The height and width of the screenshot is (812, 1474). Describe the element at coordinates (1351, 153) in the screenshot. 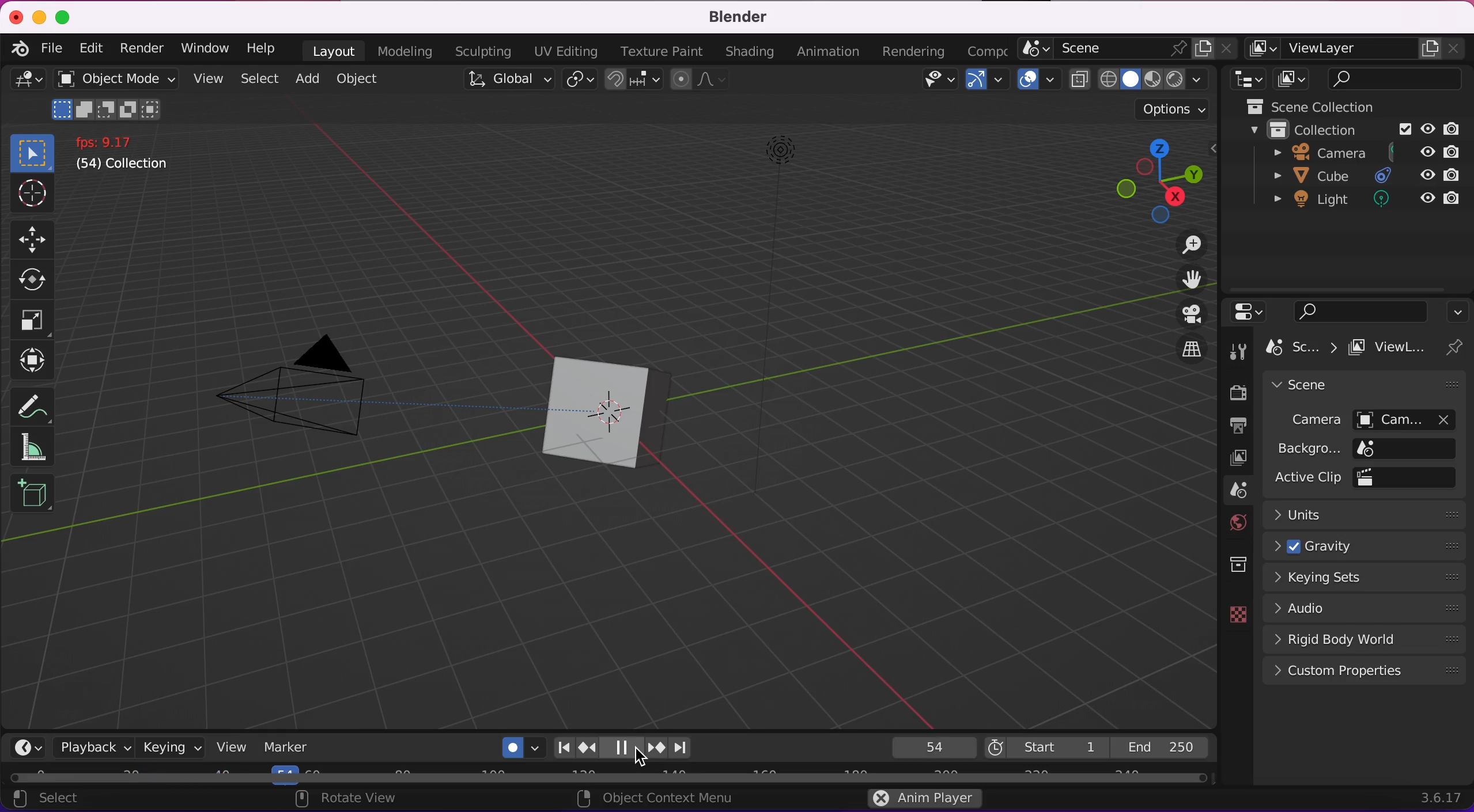

I see `camera` at that location.